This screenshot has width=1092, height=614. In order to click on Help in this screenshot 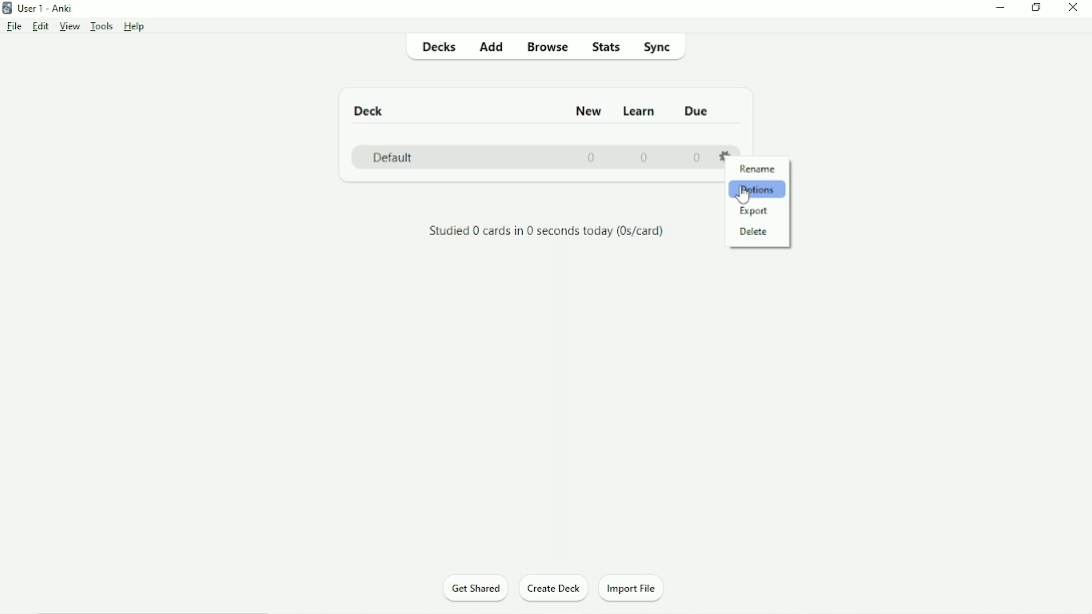, I will do `click(135, 27)`.